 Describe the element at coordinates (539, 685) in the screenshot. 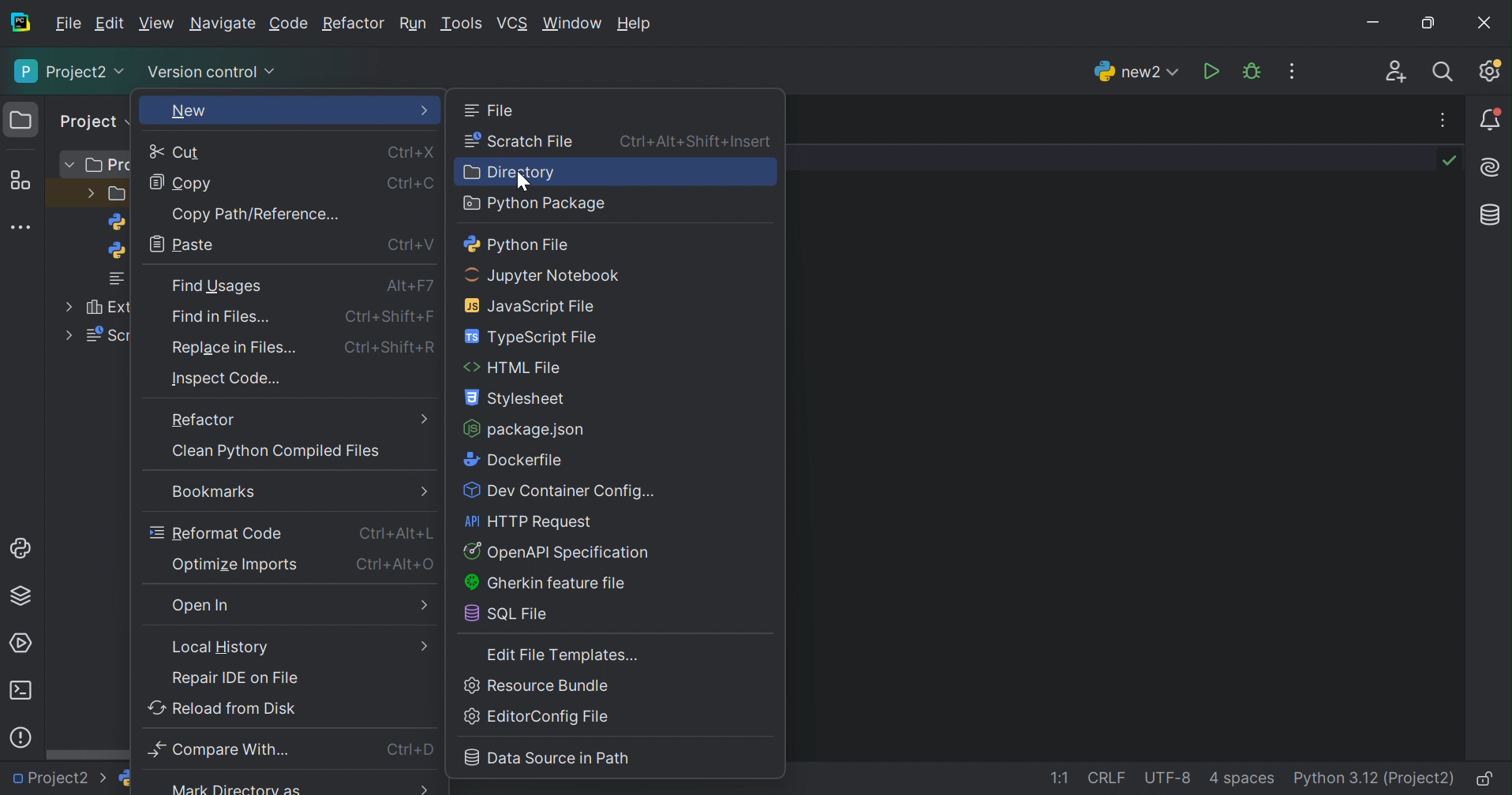

I see `Resource Bundle` at that location.